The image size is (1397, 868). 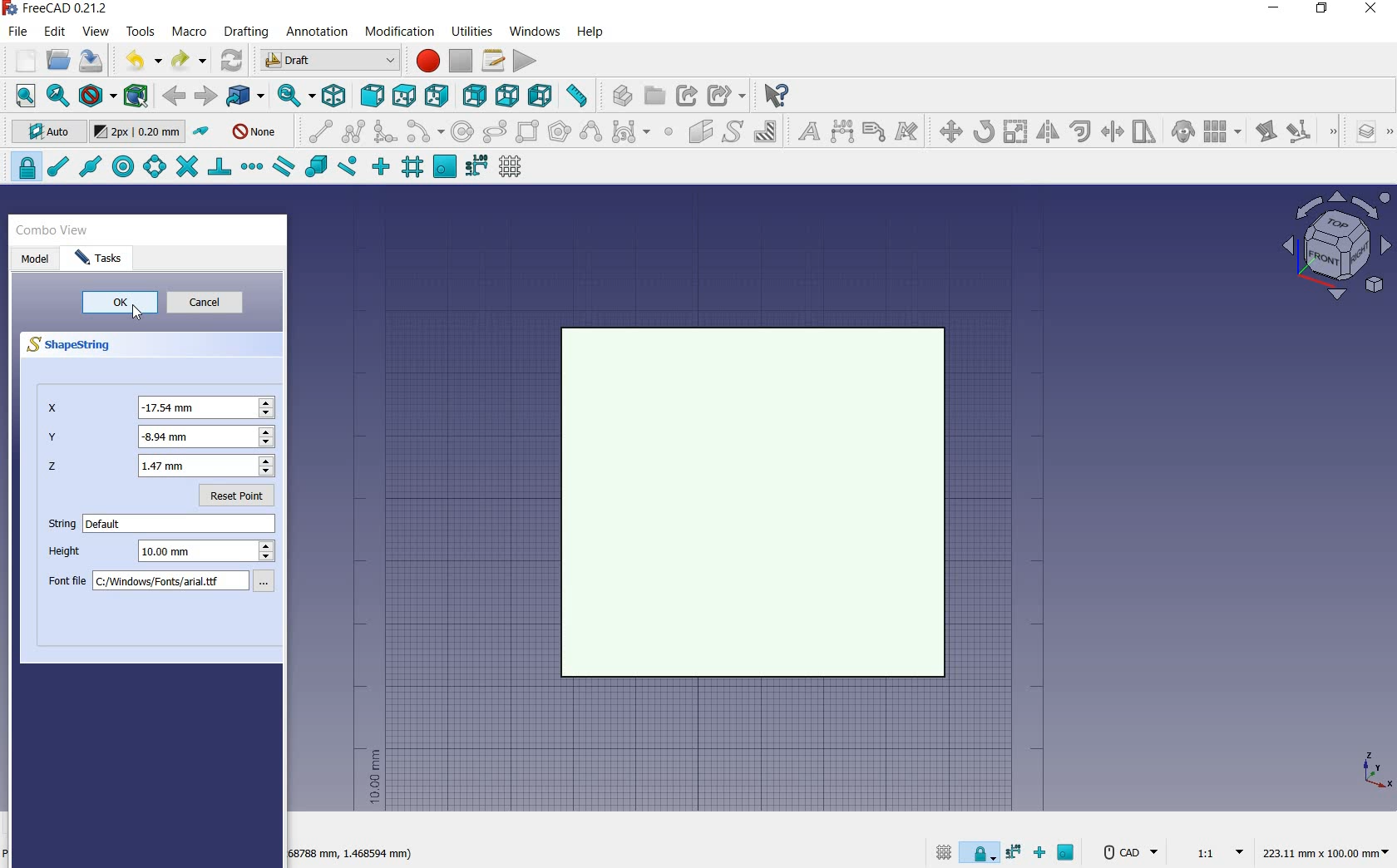 What do you see at coordinates (590, 32) in the screenshot?
I see `help` at bounding box center [590, 32].